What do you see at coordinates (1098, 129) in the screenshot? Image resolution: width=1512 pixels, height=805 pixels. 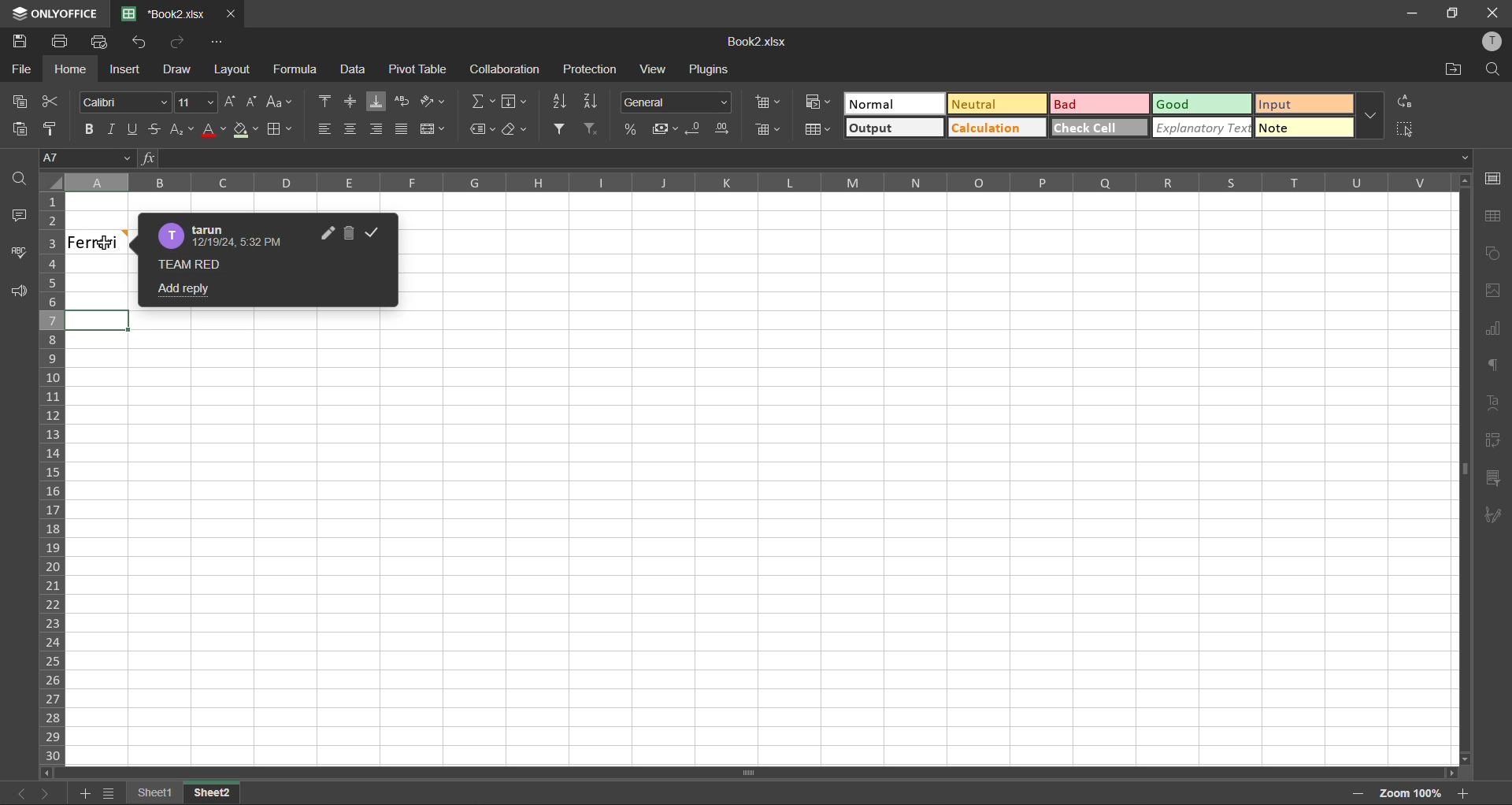 I see `check cell` at bounding box center [1098, 129].